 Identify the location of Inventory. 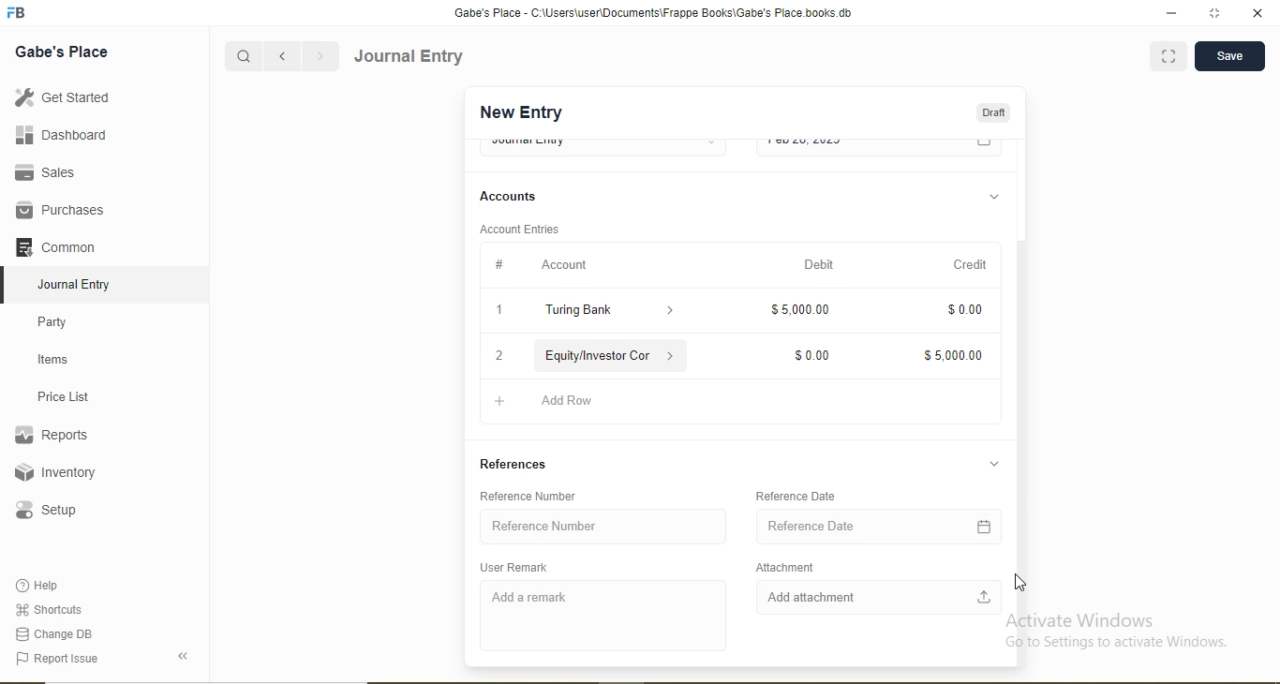
(56, 472).